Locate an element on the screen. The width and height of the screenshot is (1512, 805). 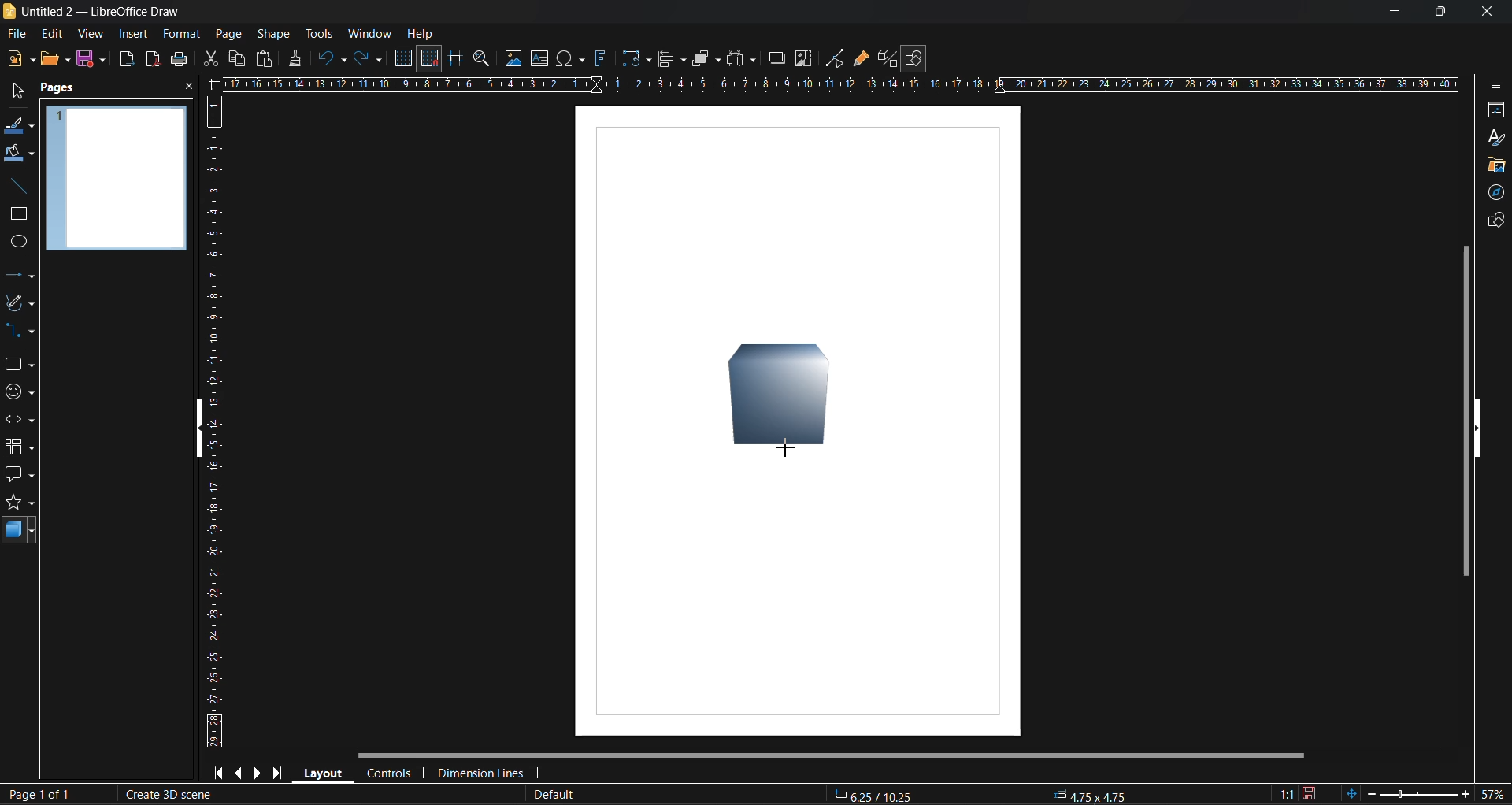
edit is located at coordinates (51, 32).